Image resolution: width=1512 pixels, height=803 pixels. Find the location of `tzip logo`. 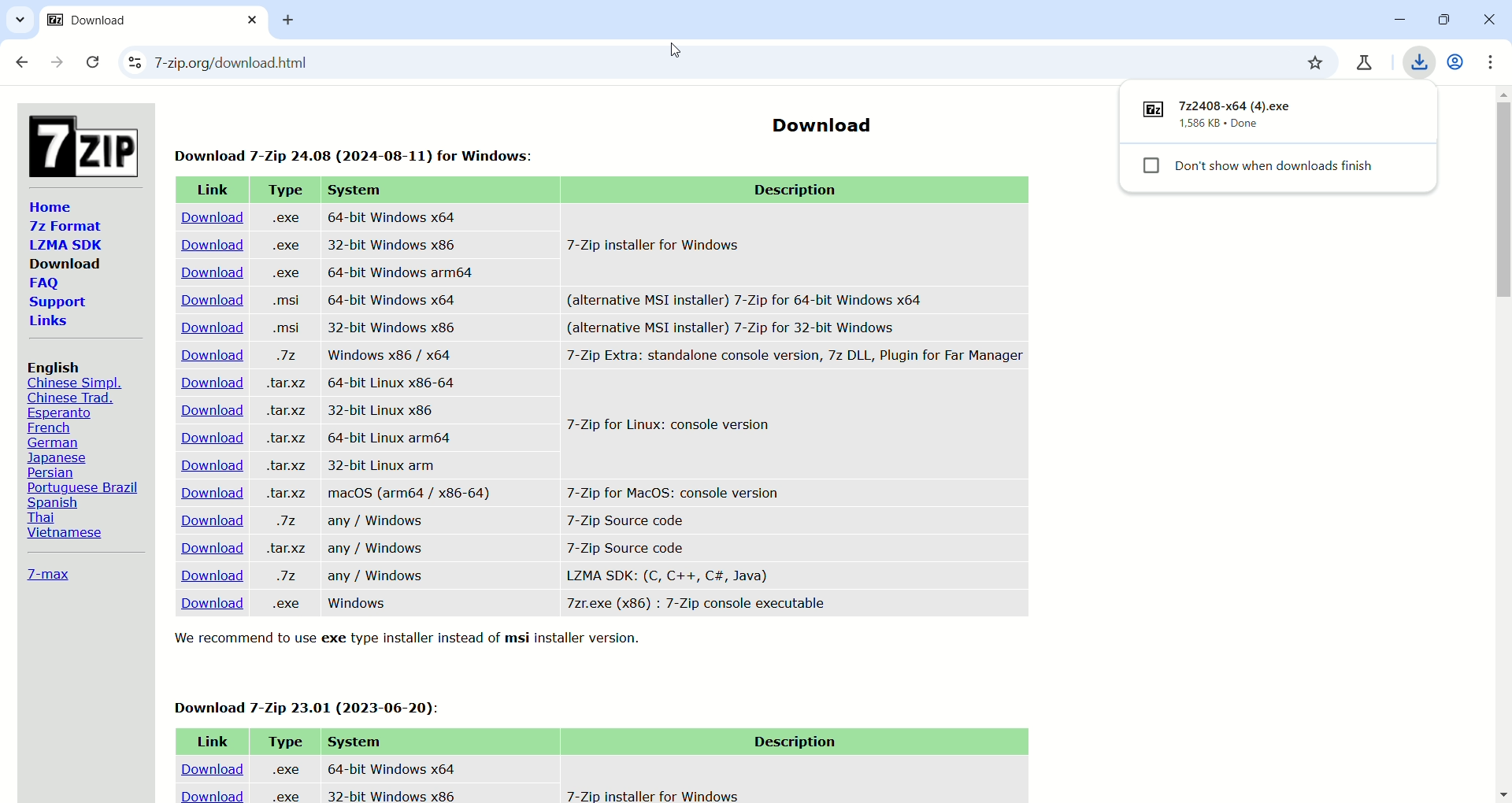

tzip logo is located at coordinates (80, 142).